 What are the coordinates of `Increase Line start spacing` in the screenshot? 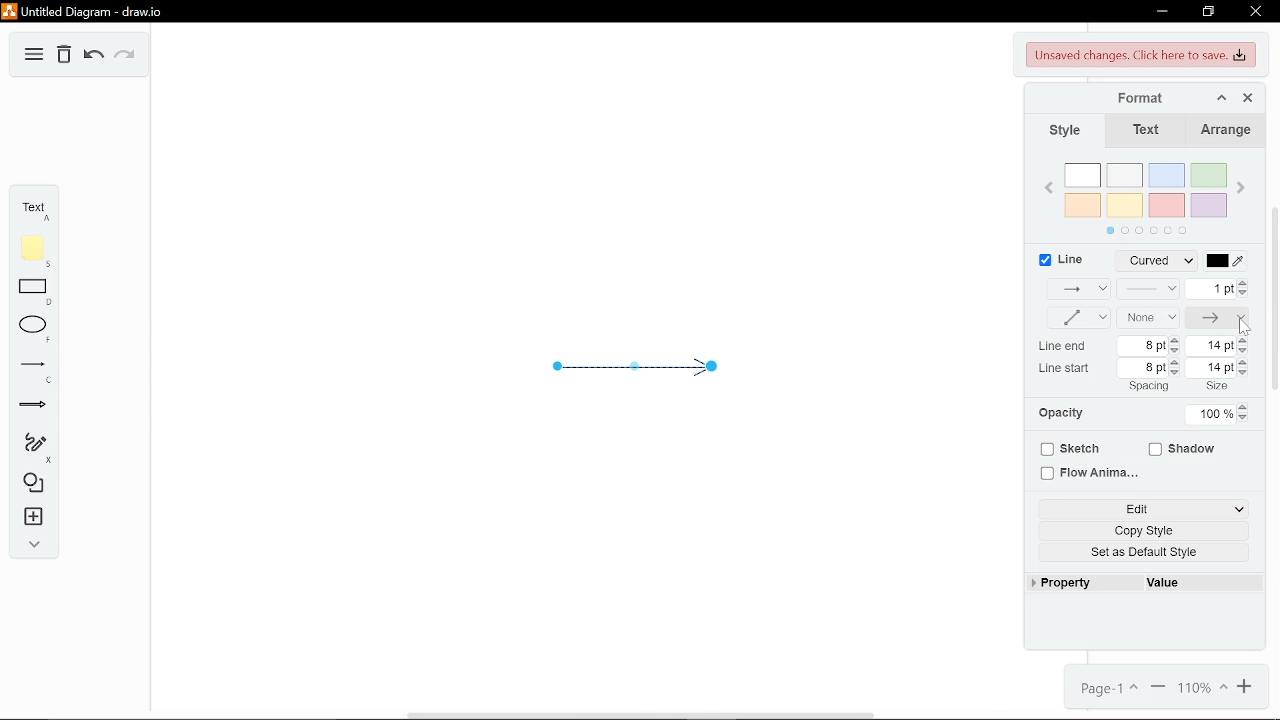 It's located at (1178, 363).